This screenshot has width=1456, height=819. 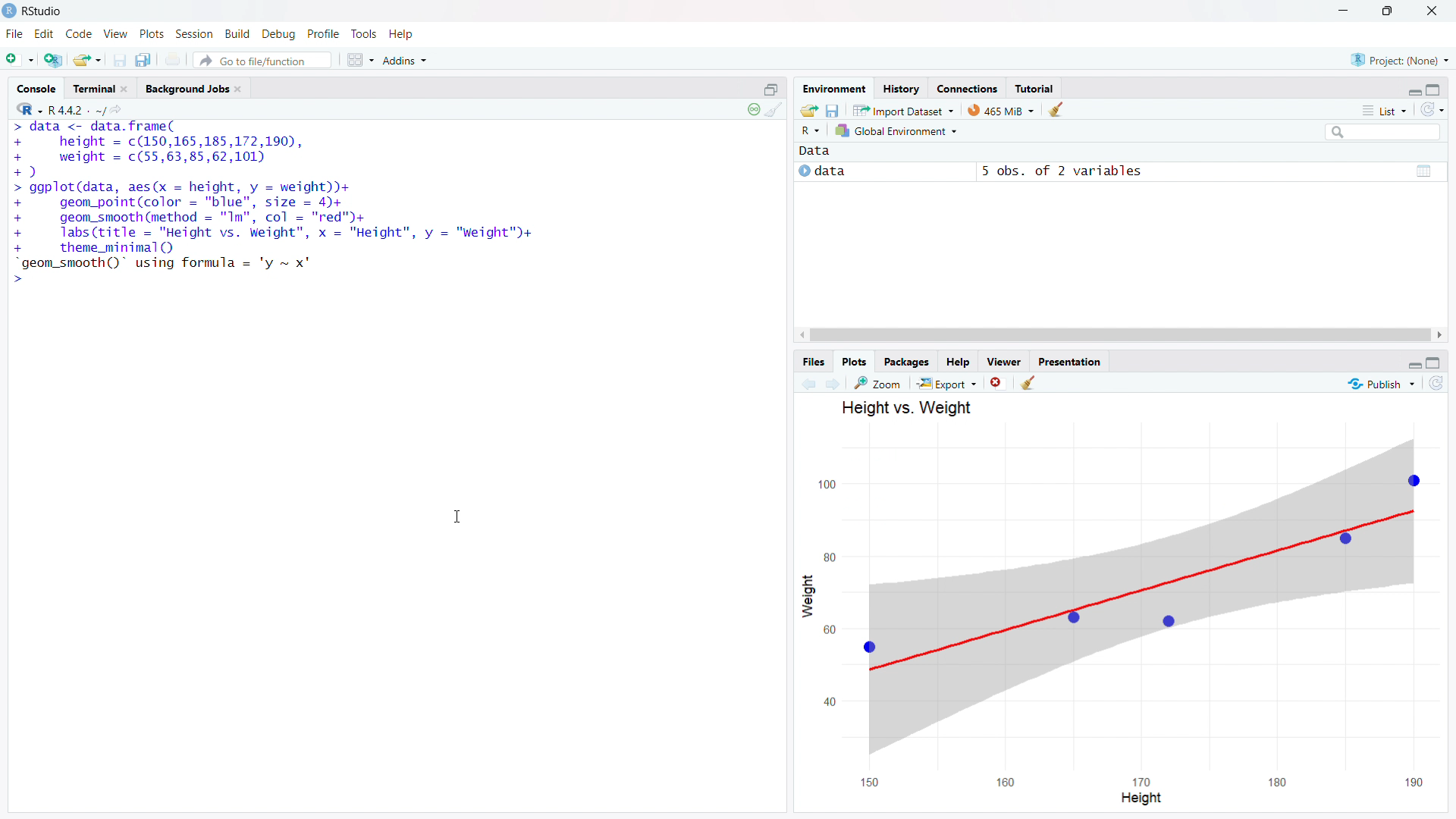 I want to click on build, so click(x=239, y=33).